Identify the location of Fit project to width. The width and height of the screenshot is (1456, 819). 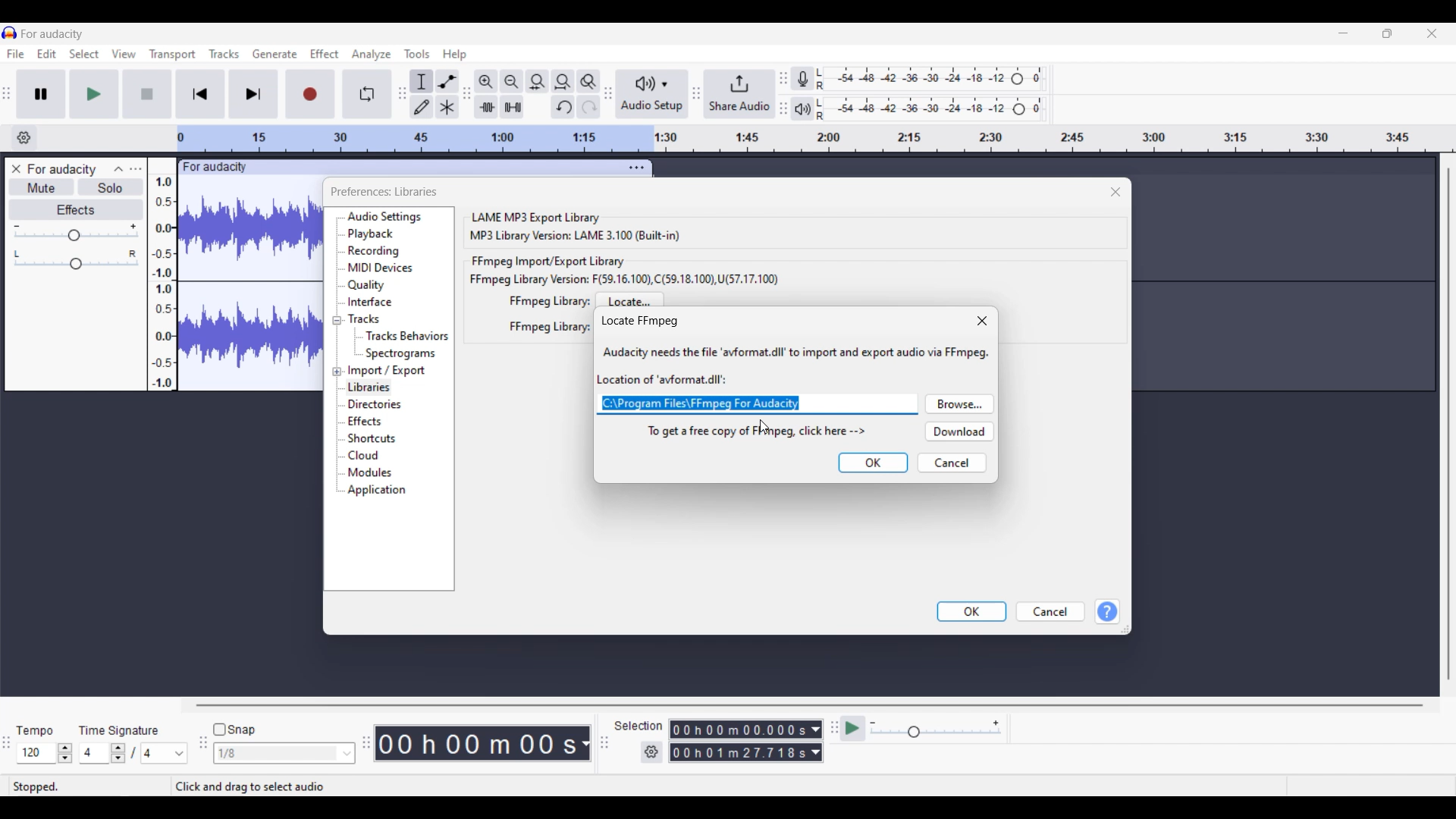
(563, 82).